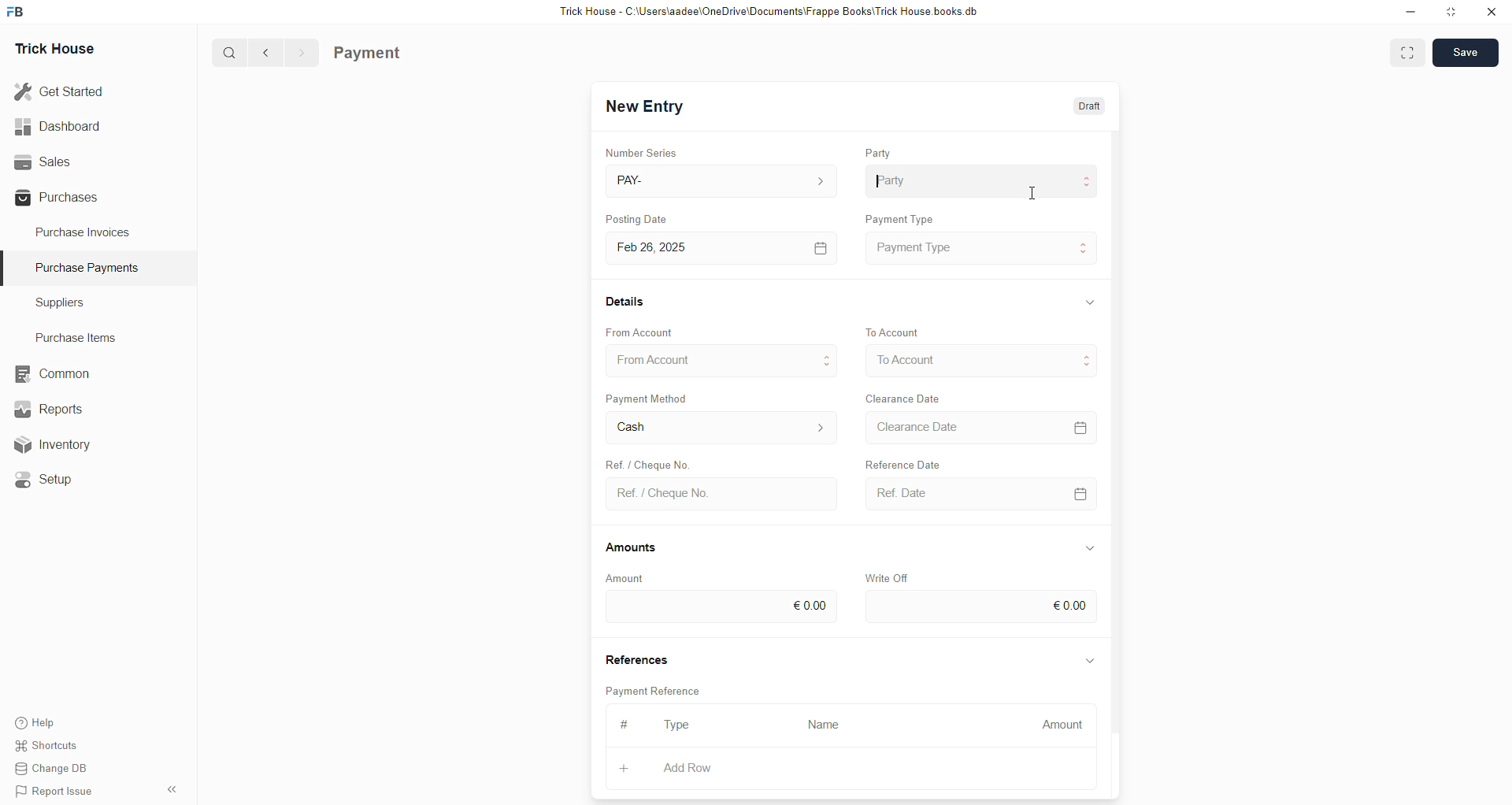  I want to click on back, so click(267, 52).